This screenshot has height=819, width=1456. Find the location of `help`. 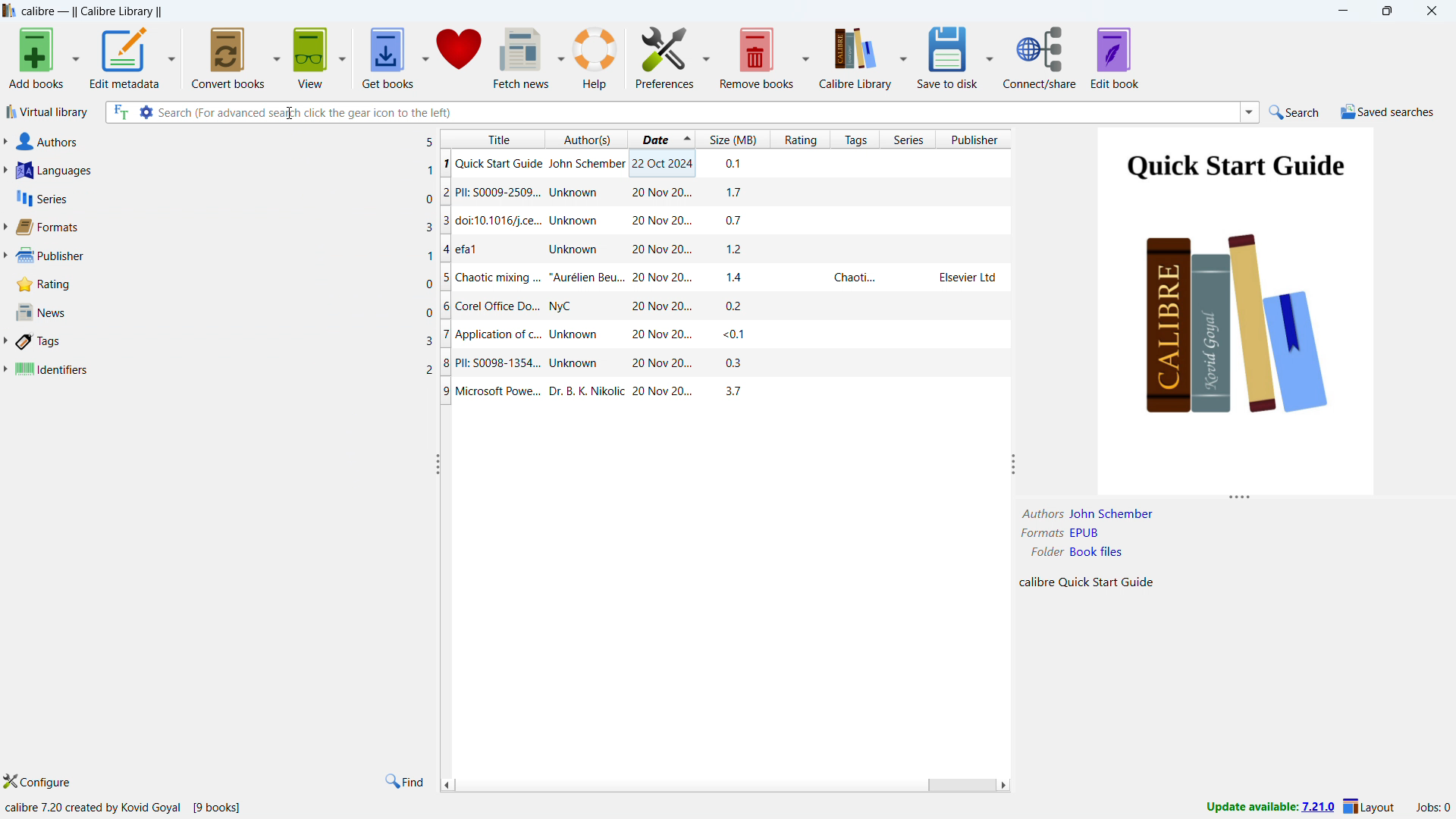

help is located at coordinates (596, 57).